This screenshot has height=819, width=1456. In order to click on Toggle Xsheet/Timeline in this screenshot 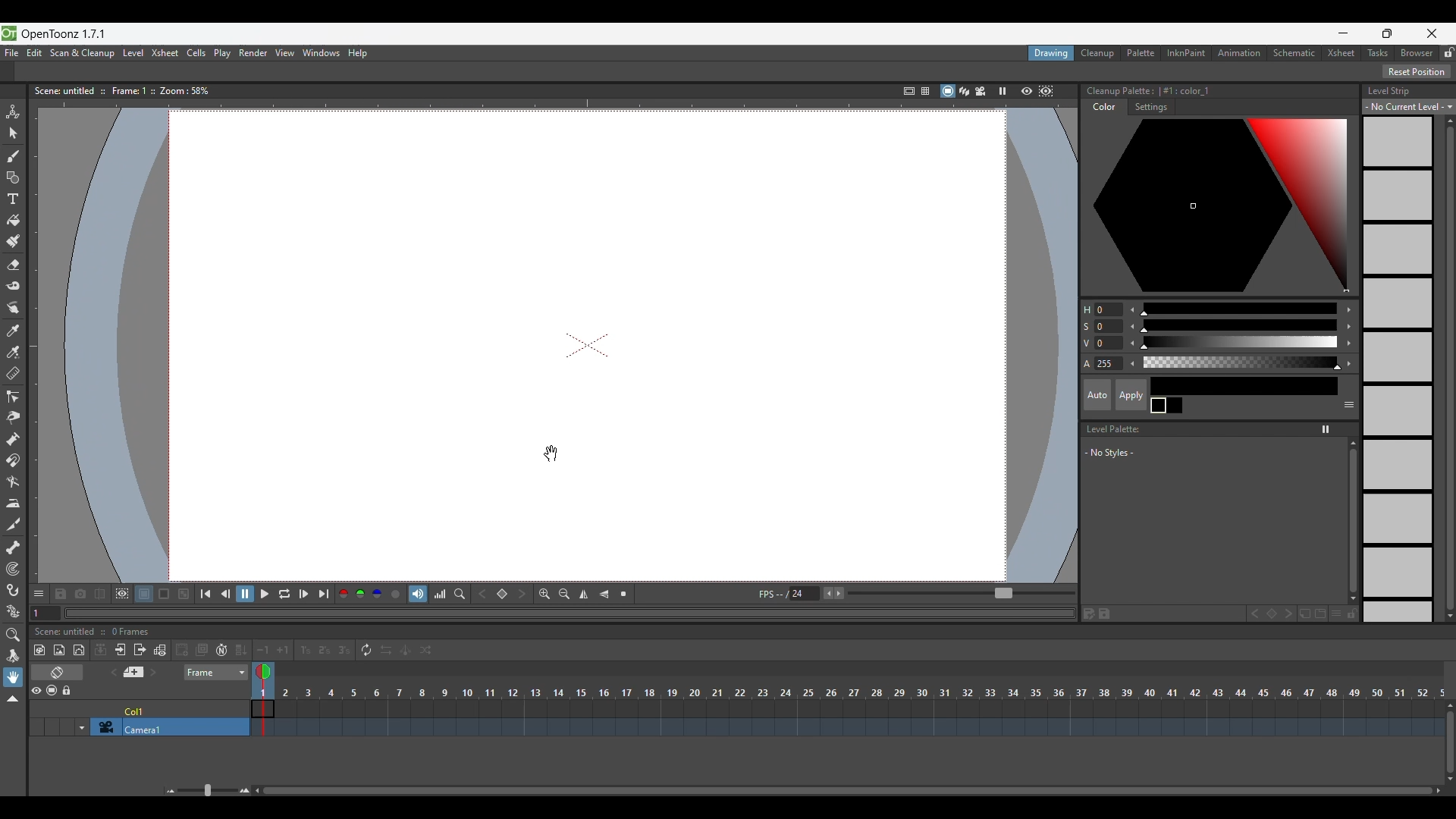, I will do `click(57, 673)`.